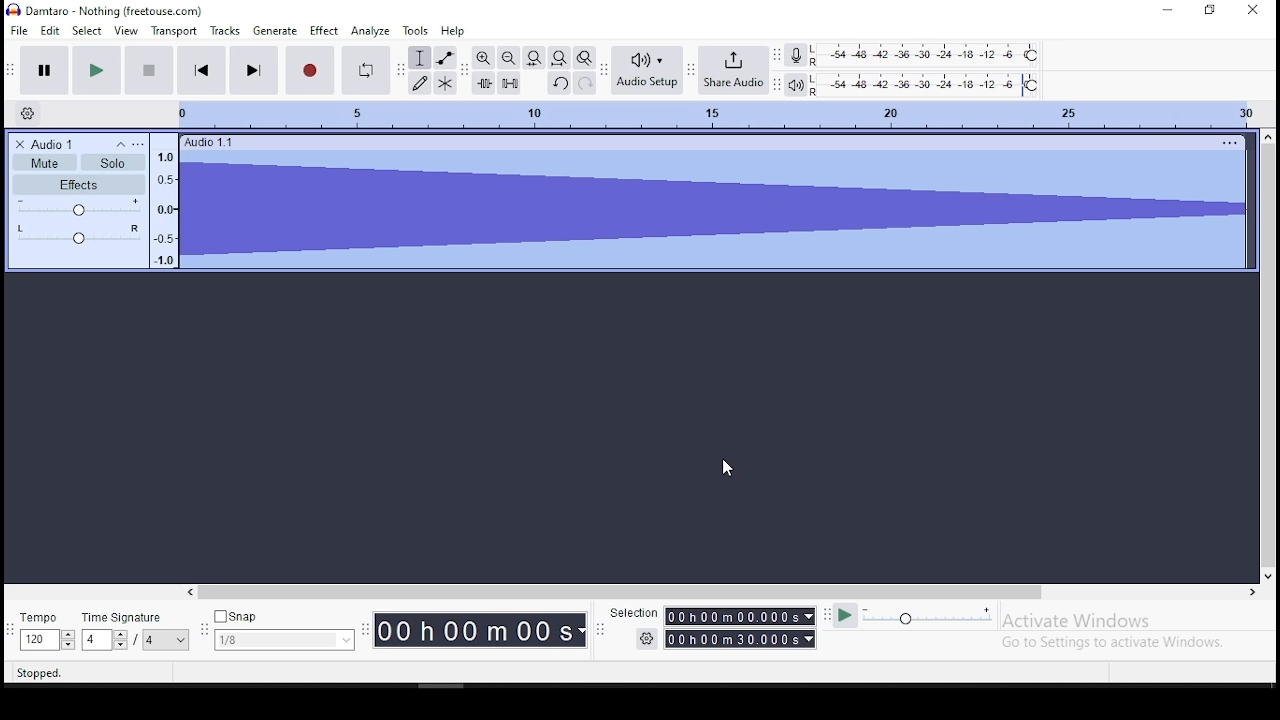 Image resolution: width=1280 pixels, height=720 pixels. Describe the element at coordinates (53, 33) in the screenshot. I see `edit` at that location.